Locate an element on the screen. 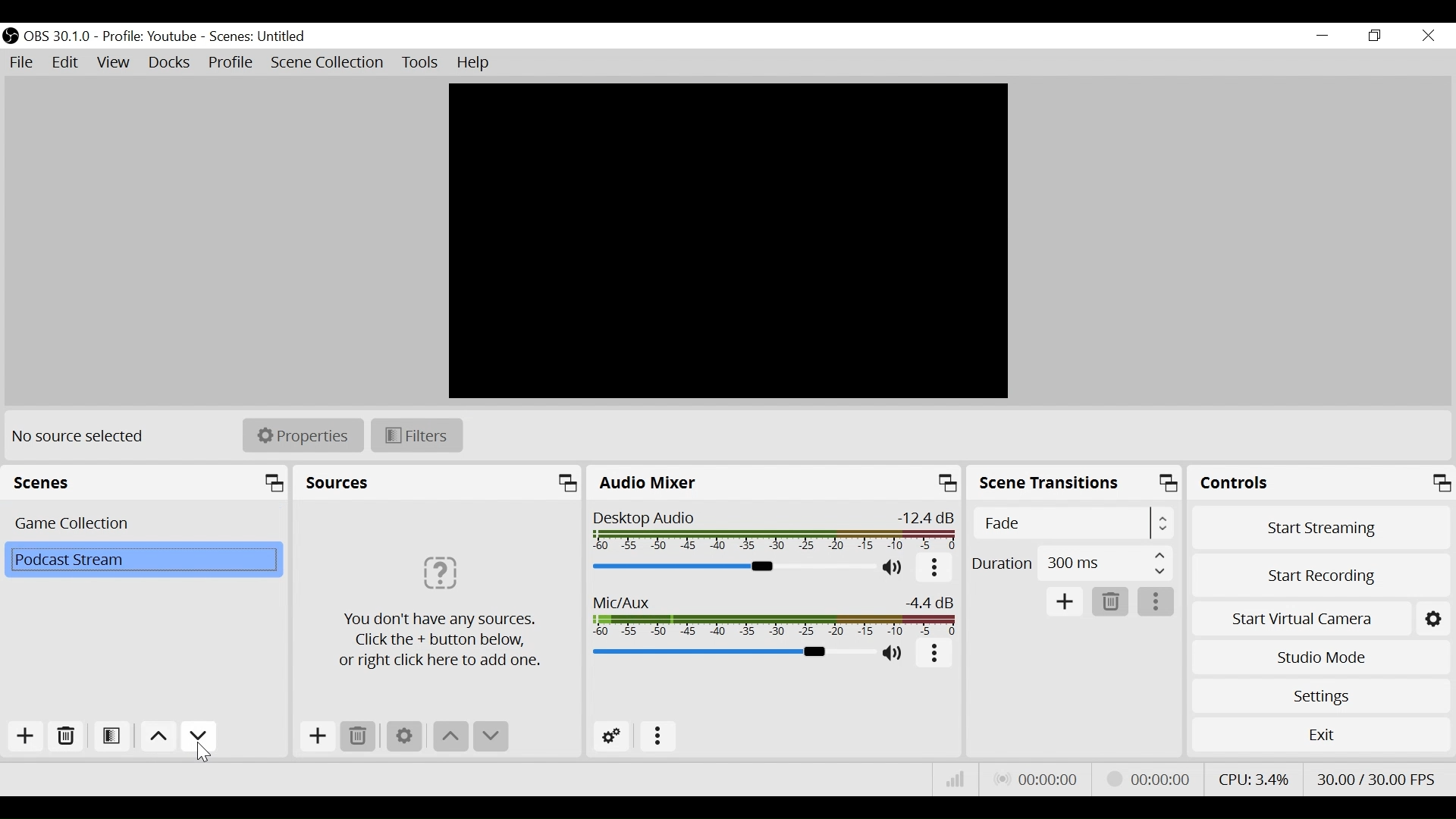  Bitrate is located at coordinates (954, 778).